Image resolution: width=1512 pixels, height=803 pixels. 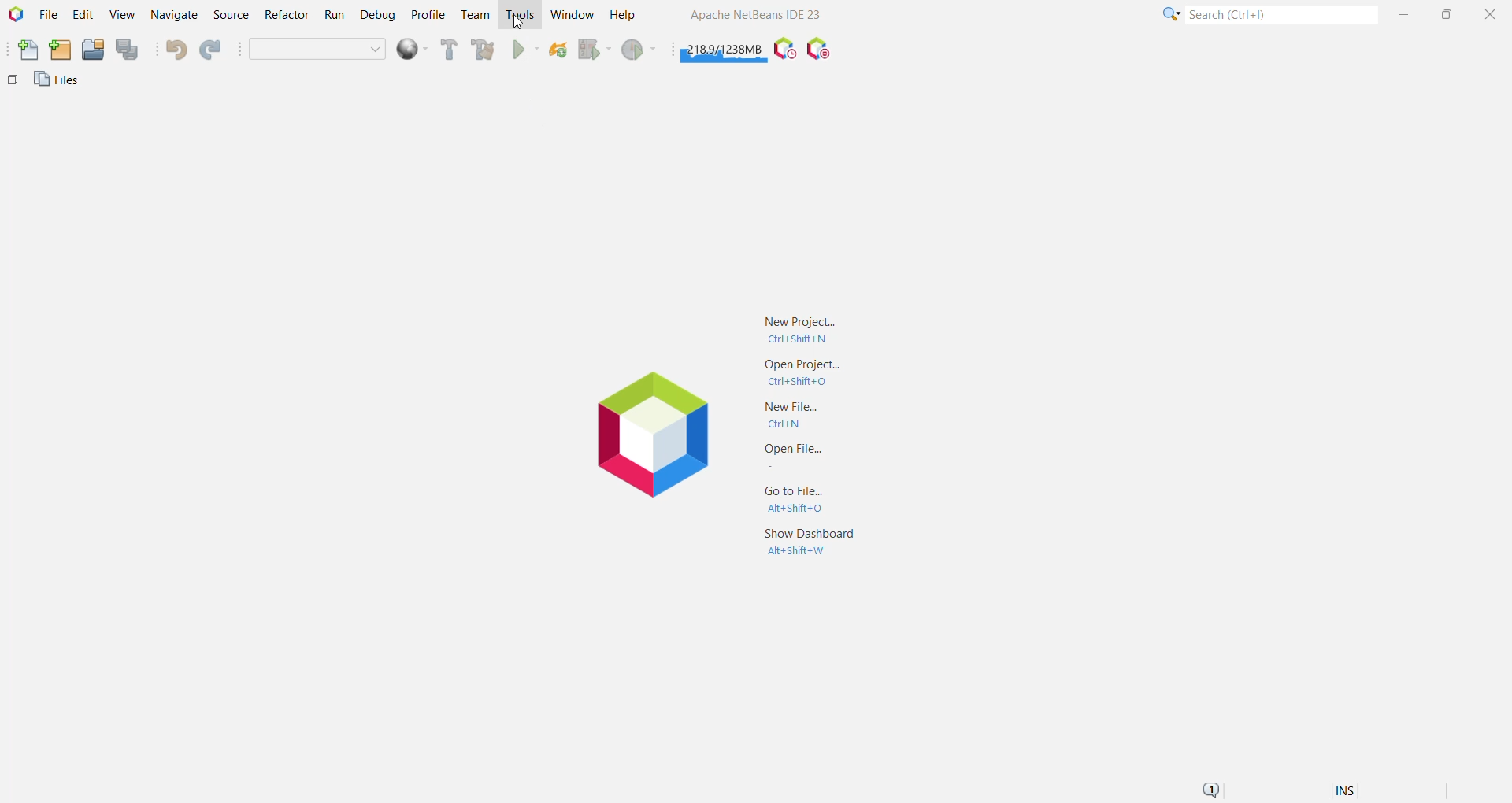 I want to click on Application name and Version, so click(x=754, y=17).